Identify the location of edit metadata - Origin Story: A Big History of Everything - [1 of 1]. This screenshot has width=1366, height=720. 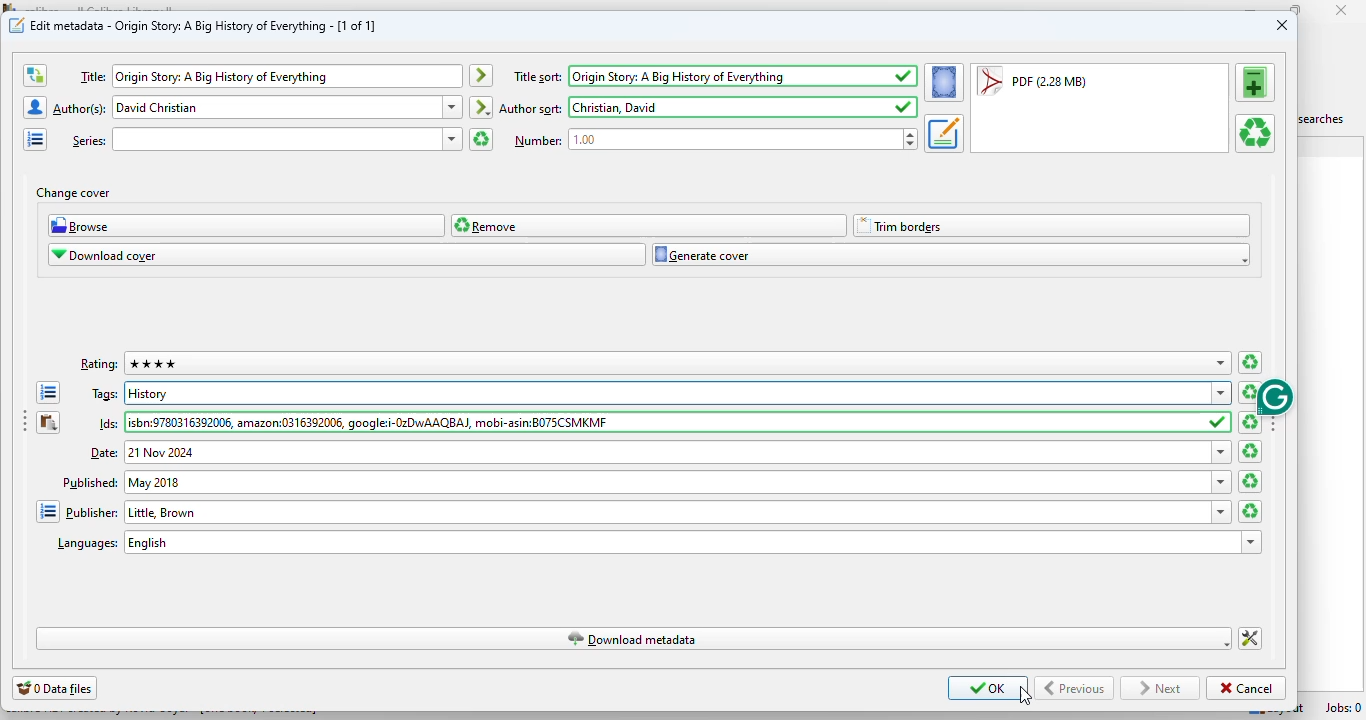
(204, 25).